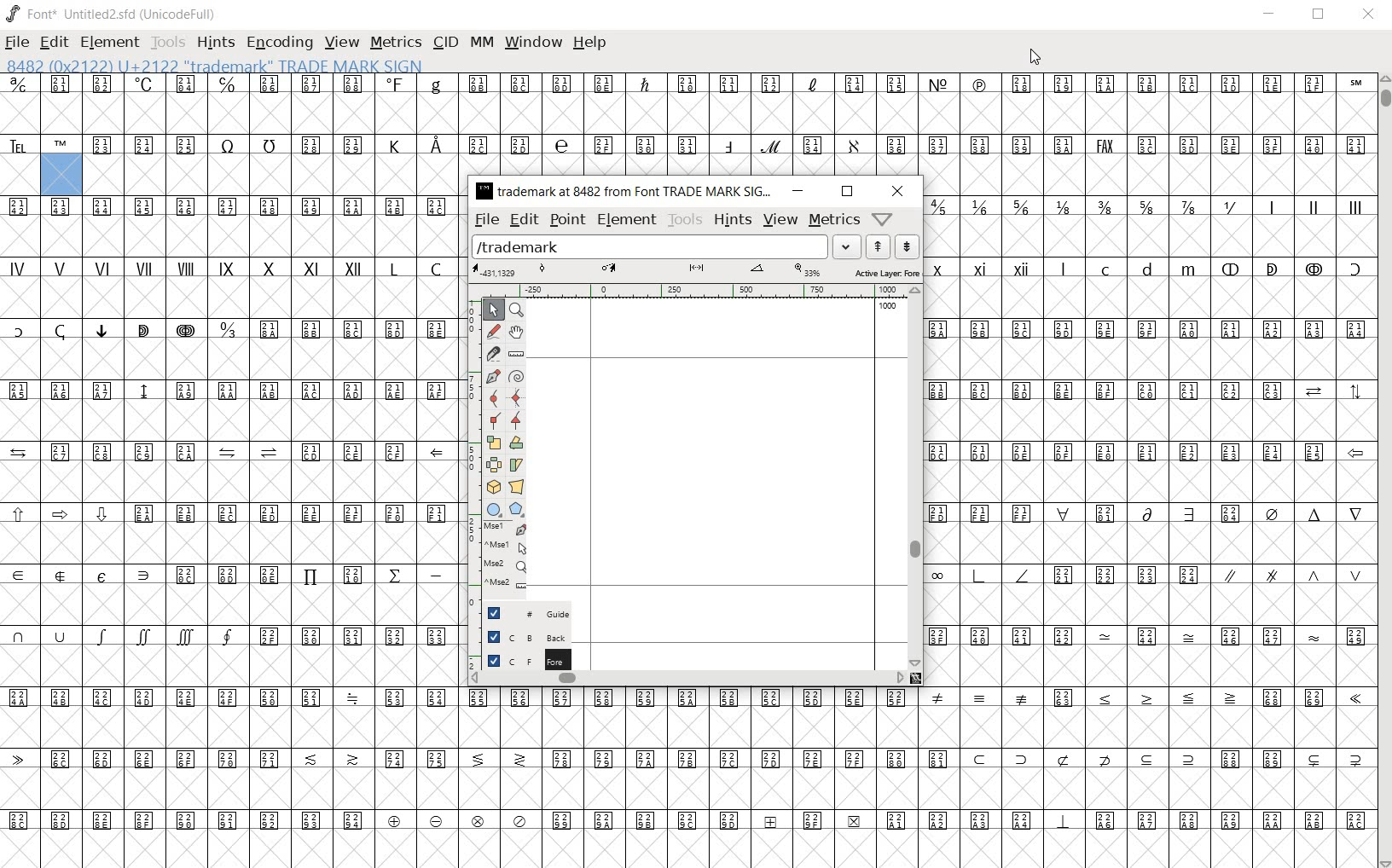  I want to click on Rotate the selection, so click(516, 443).